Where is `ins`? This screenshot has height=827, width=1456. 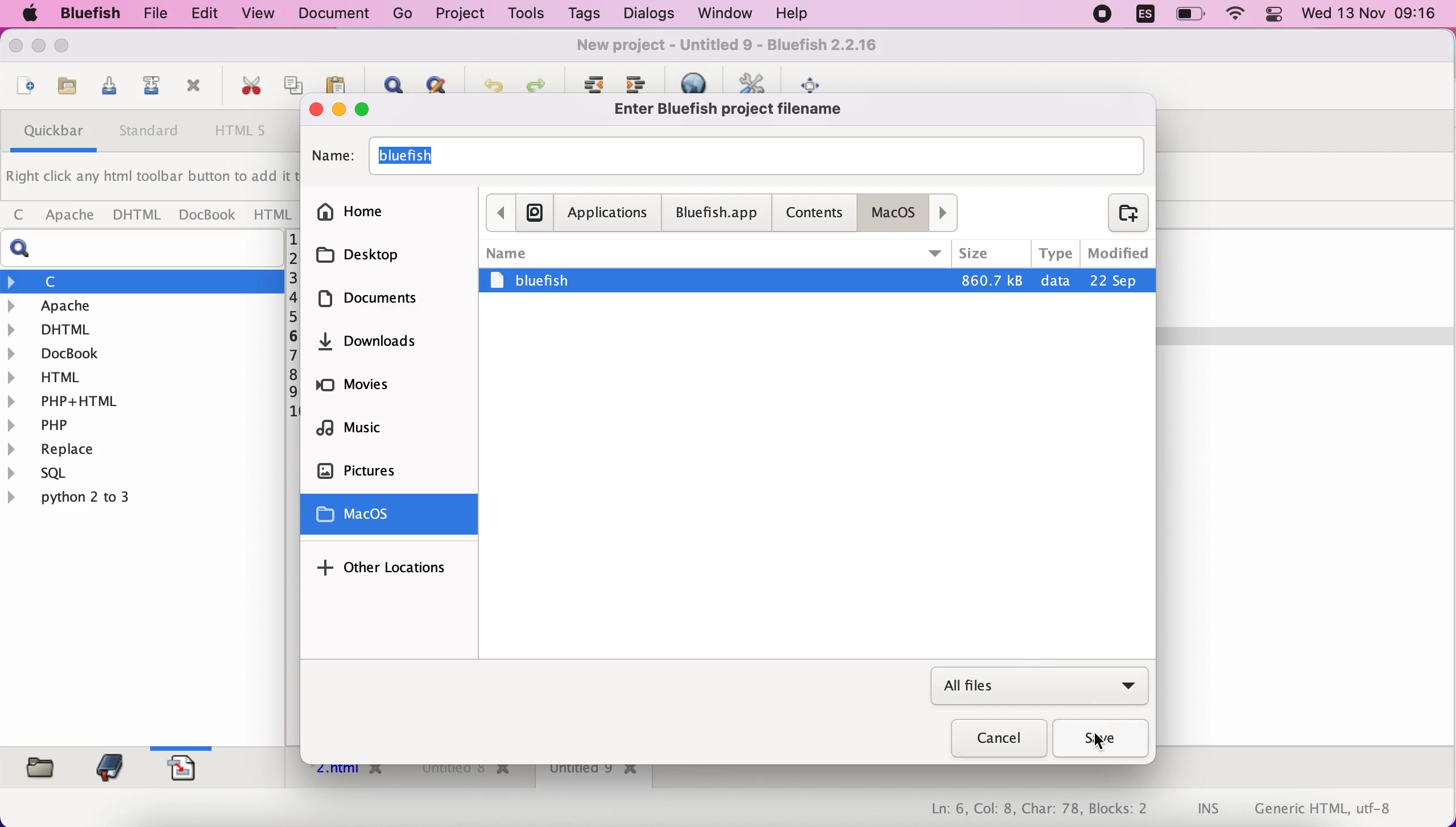
ins is located at coordinates (1209, 810).